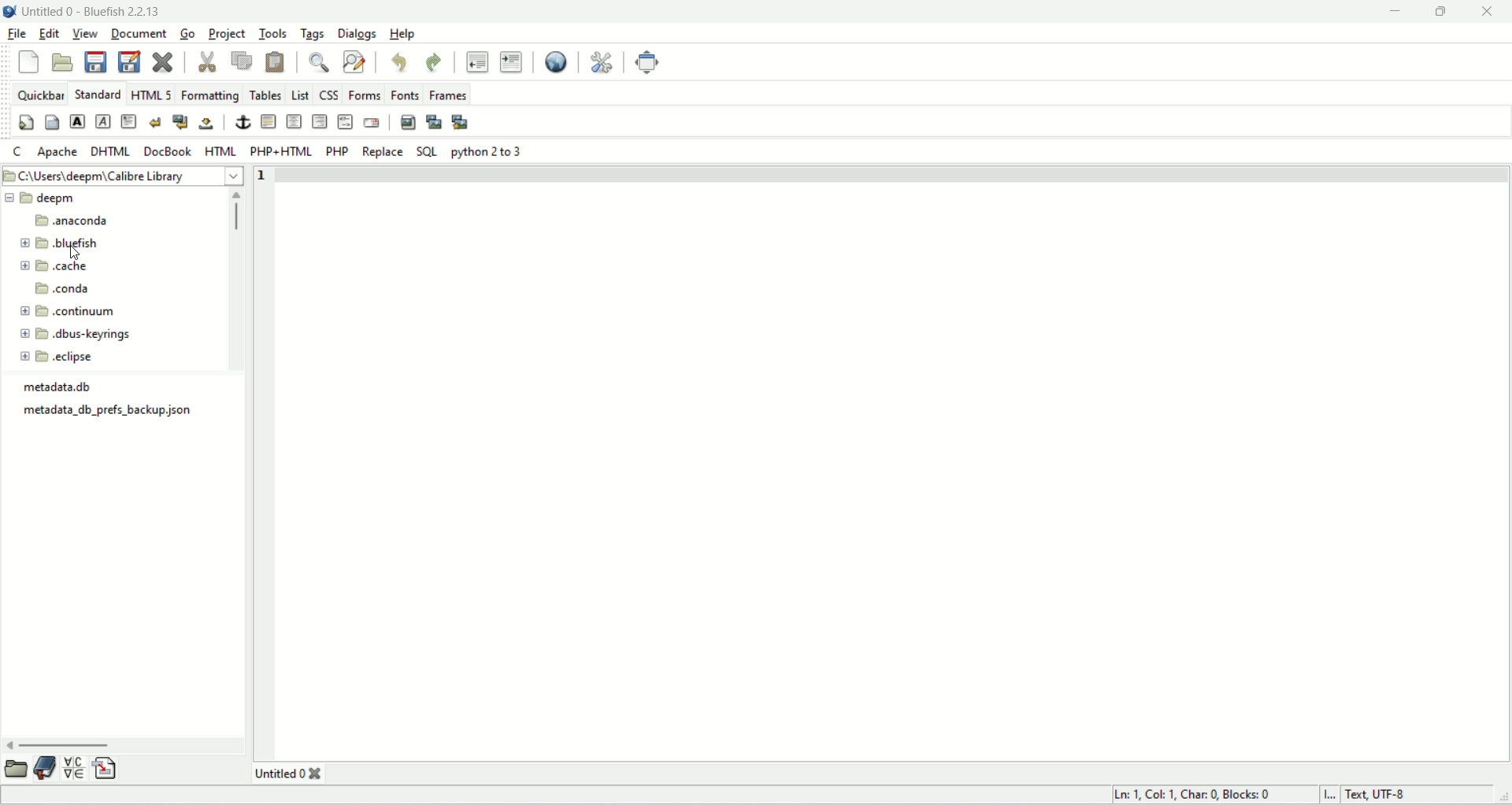  I want to click on DHTML, so click(111, 150).